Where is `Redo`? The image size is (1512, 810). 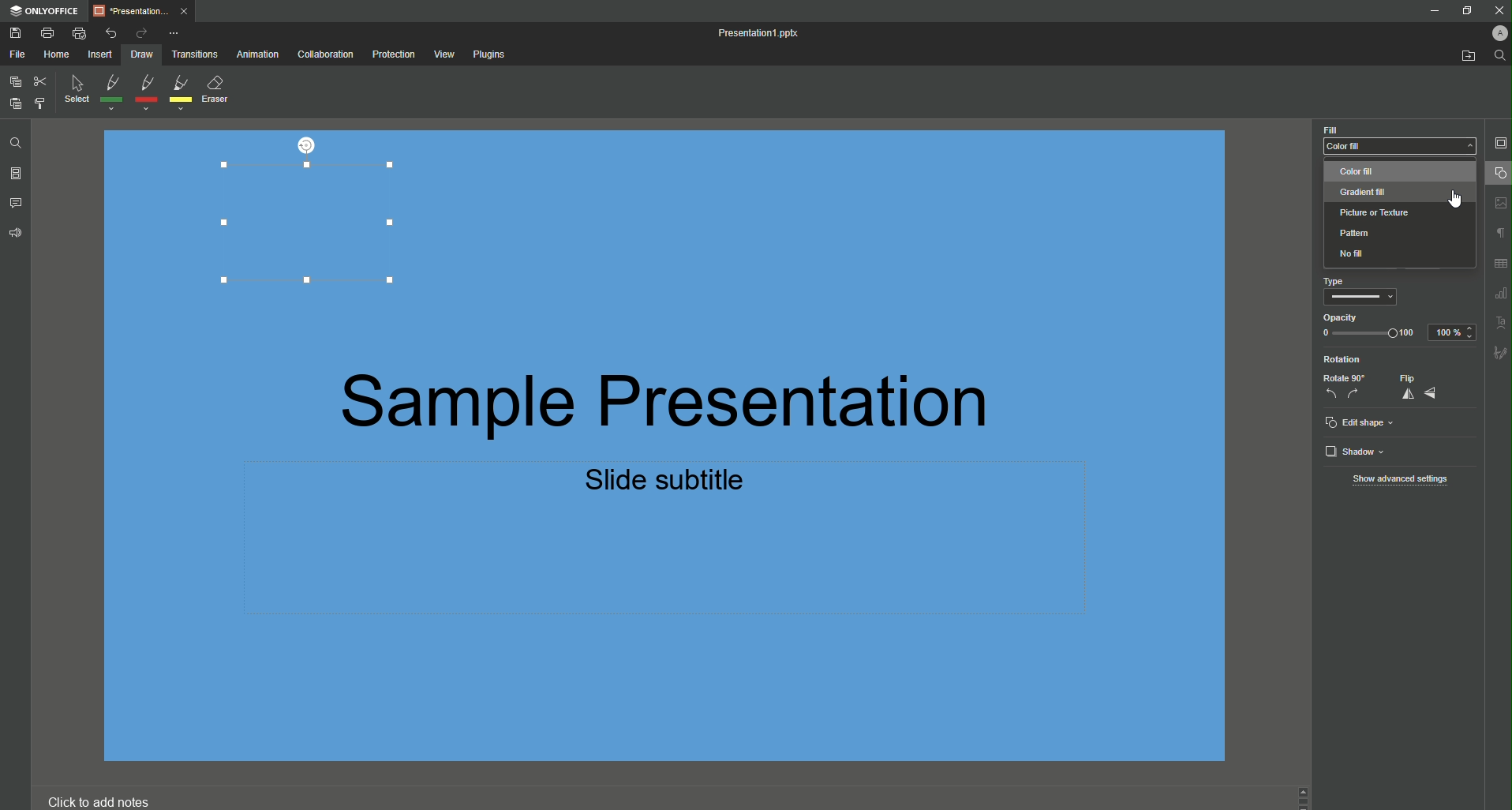 Redo is located at coordinates (140, 32).